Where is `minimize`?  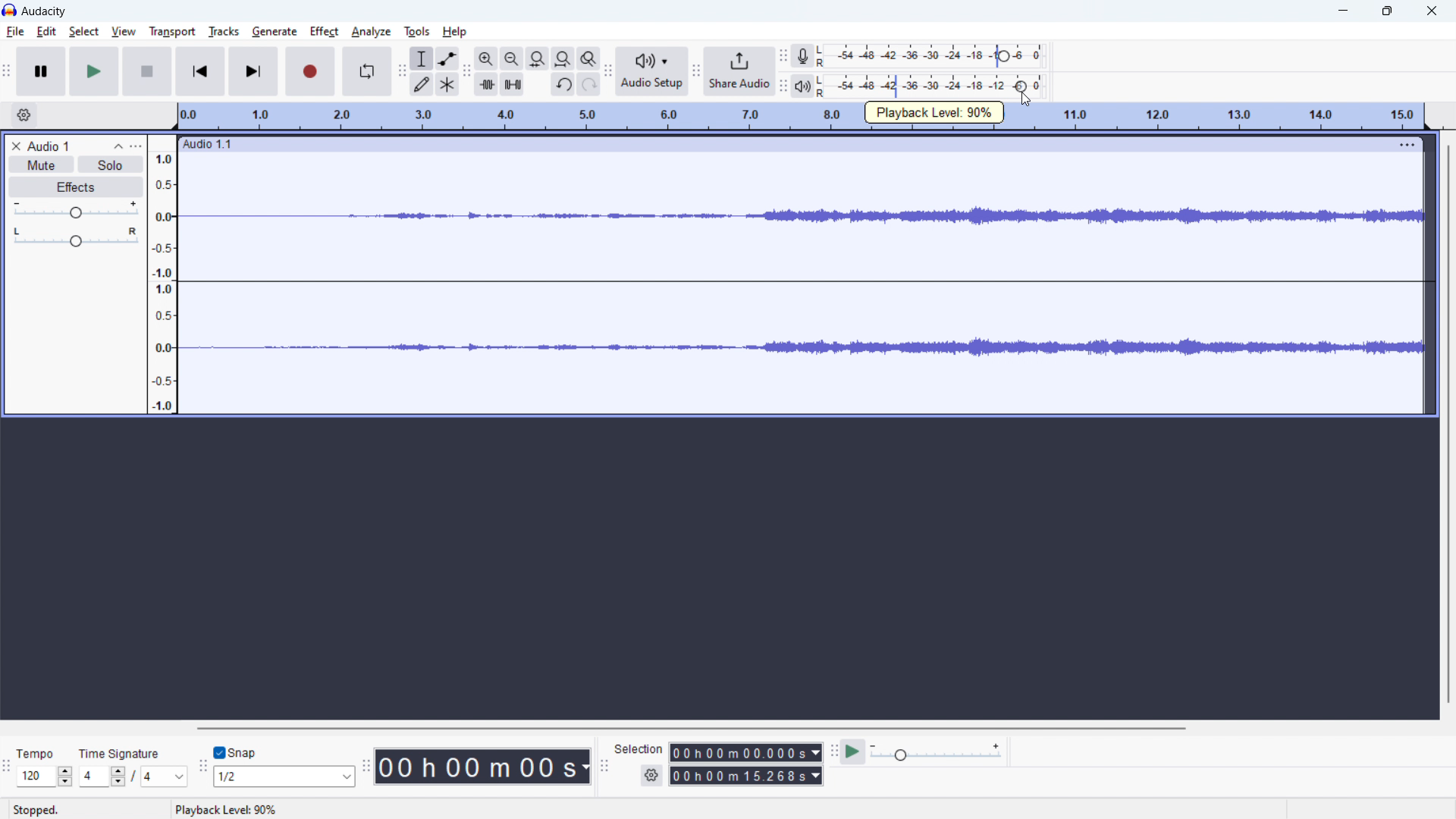
minimize is located at coordinates (1345, 11).